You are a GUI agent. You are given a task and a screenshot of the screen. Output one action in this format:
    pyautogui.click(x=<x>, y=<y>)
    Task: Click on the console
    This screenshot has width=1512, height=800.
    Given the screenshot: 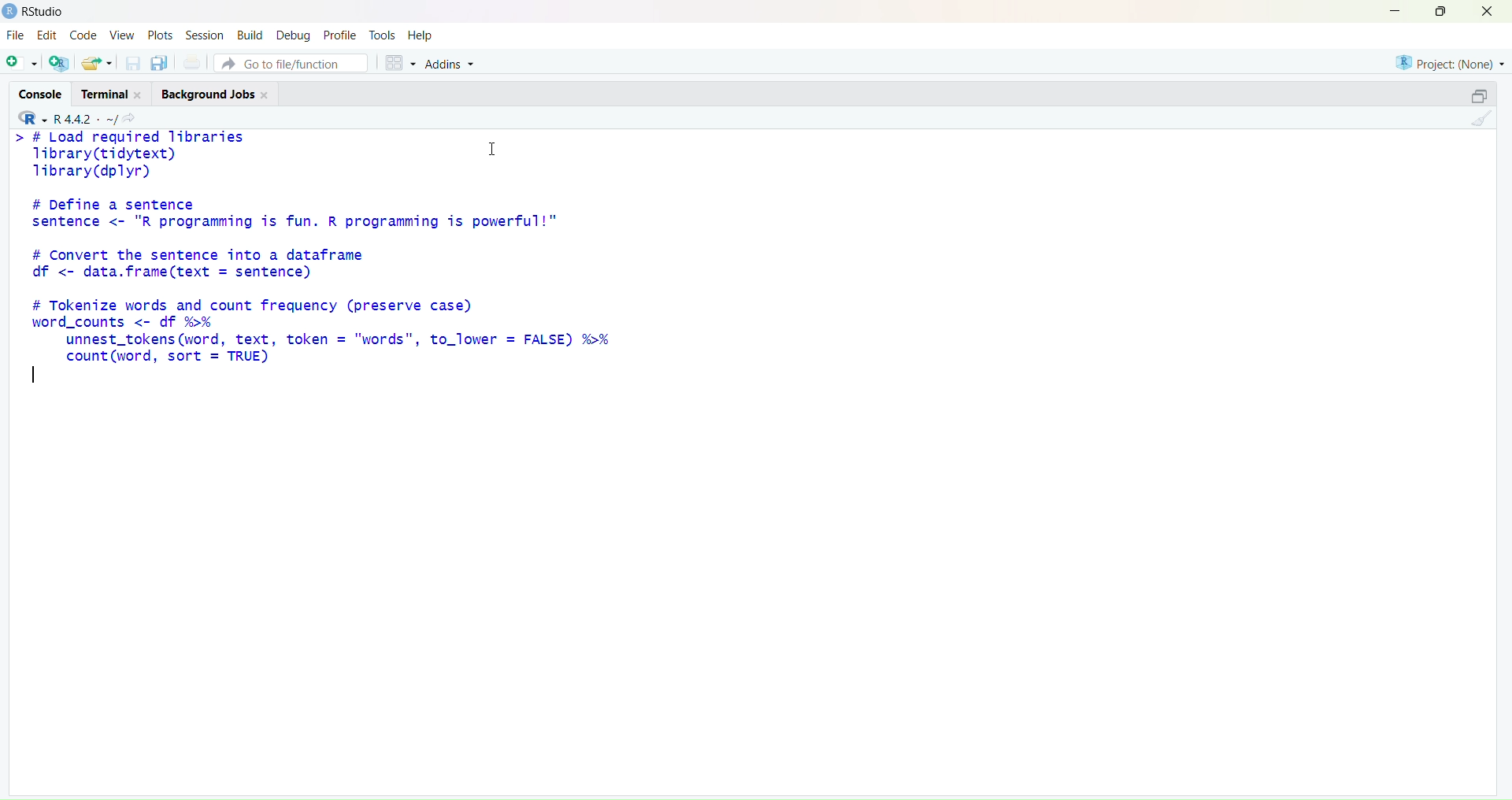 What is the action you would take?
    pyautogui.click(x=43, y=94)
    